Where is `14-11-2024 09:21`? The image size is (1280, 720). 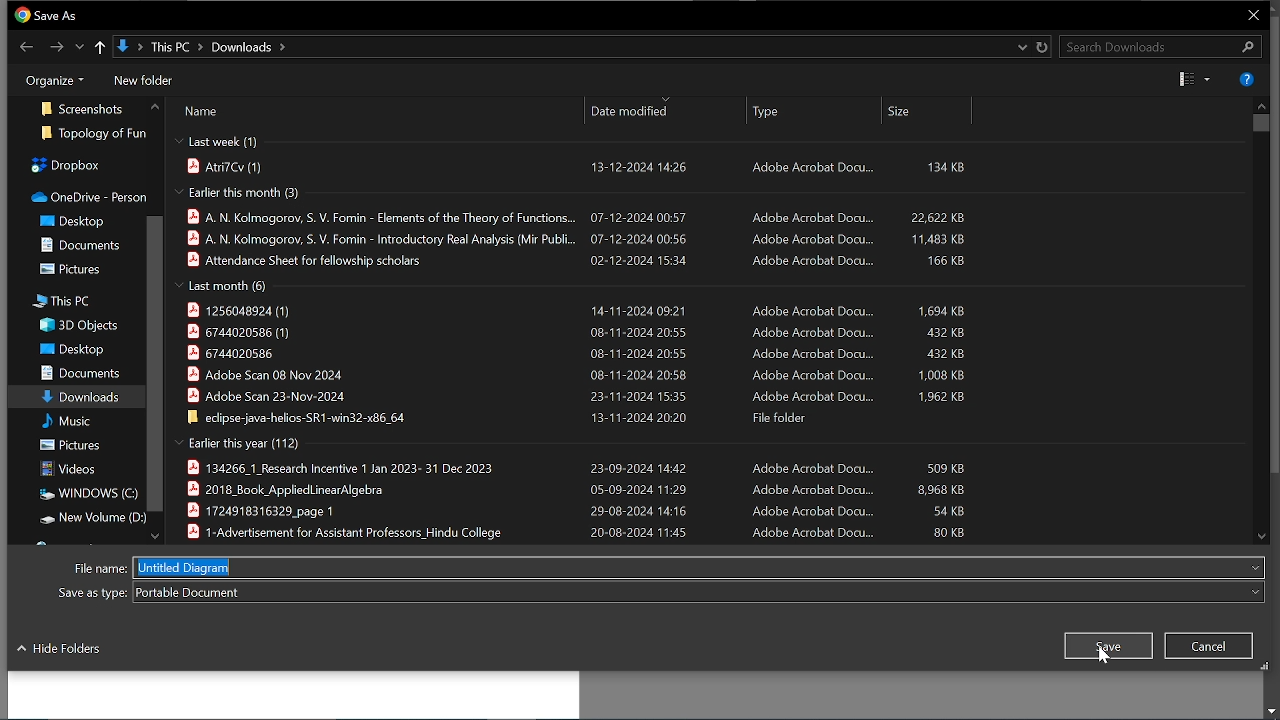 14-11-2024 09:21 is located at coordinates (636, 311).